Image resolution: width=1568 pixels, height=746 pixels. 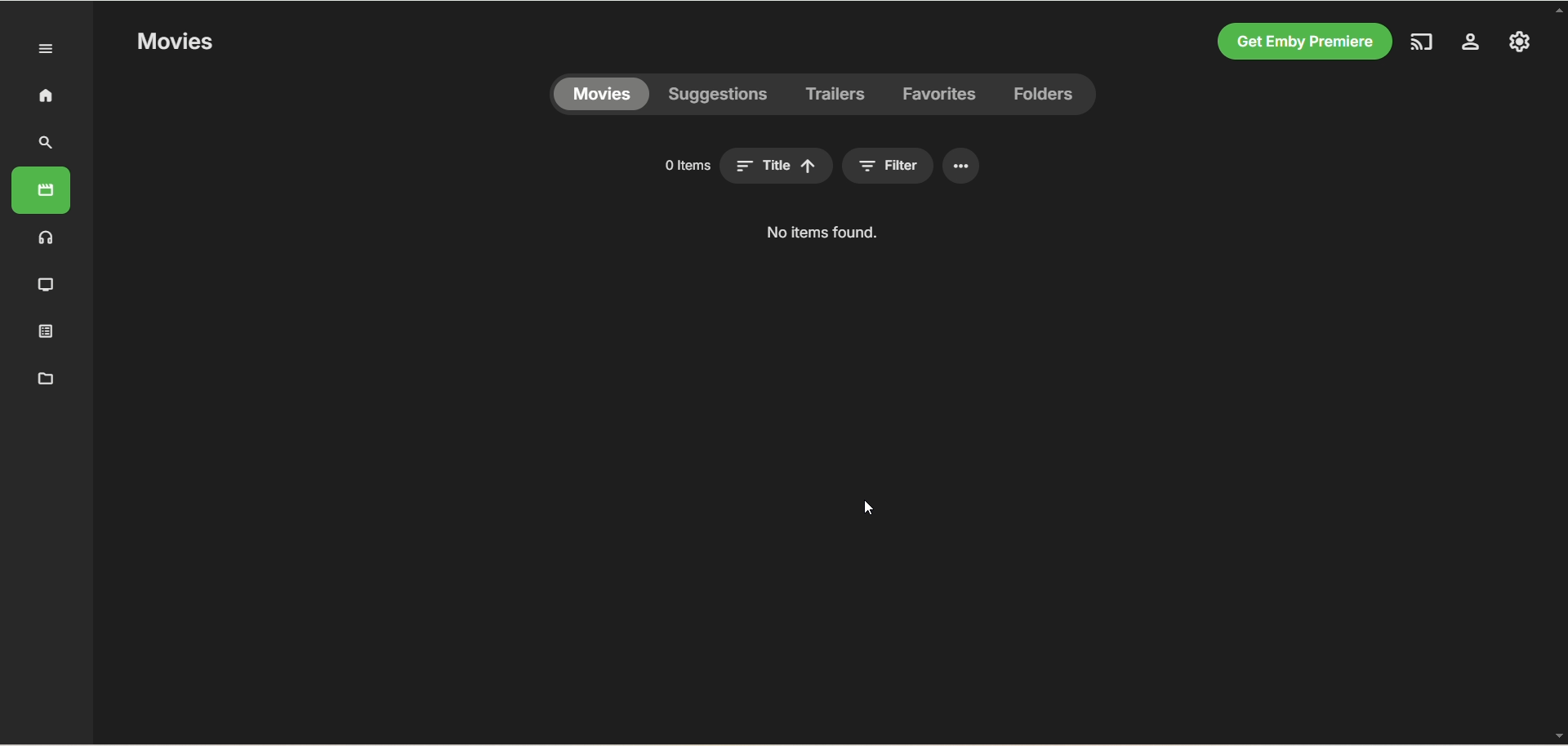 What do you see at coordinates (1042, 95) in the screenshot?
I see `folders` at bounding box center [1042, 95].